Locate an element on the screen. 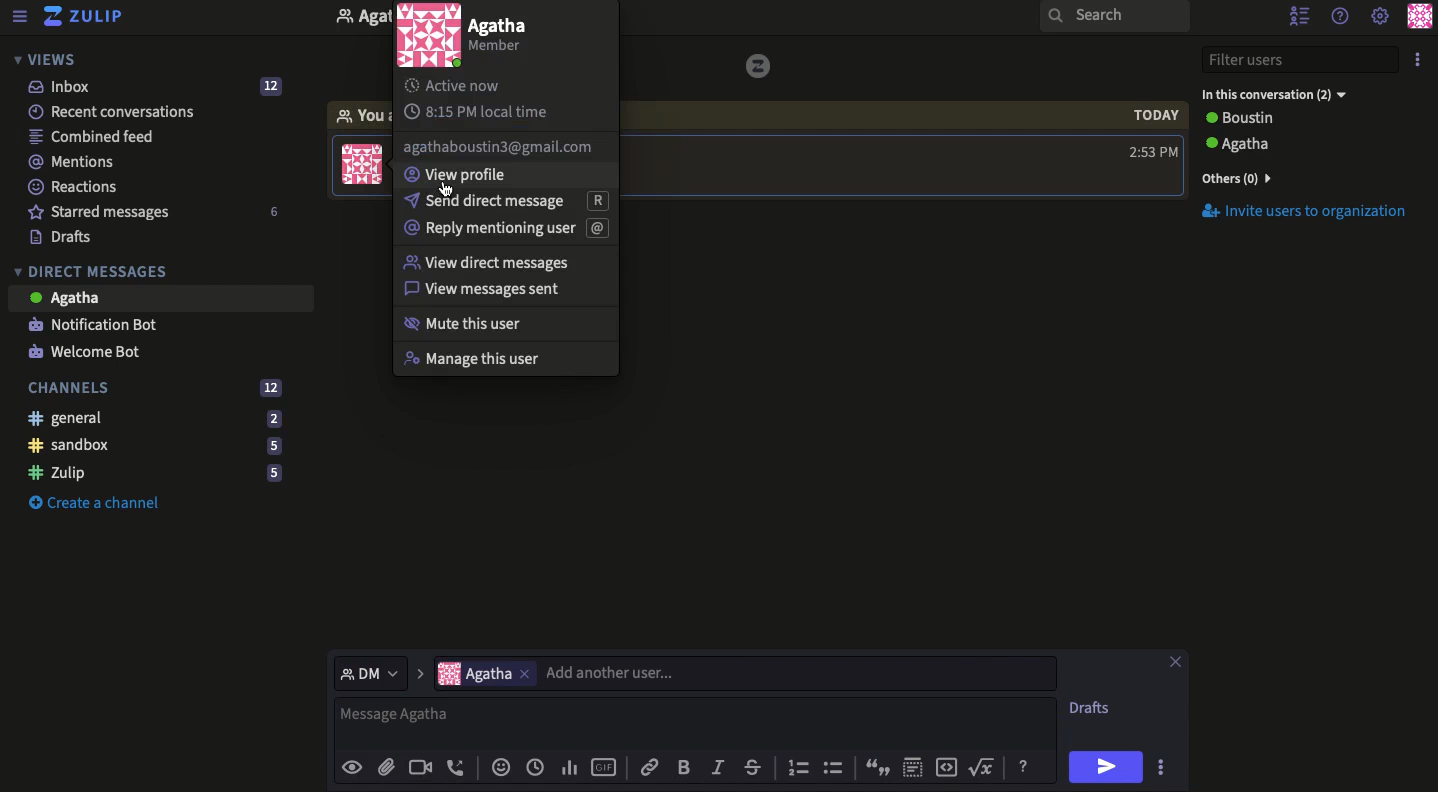 The image size is (1438, 792). View DM is located at coordinates (487, 264).